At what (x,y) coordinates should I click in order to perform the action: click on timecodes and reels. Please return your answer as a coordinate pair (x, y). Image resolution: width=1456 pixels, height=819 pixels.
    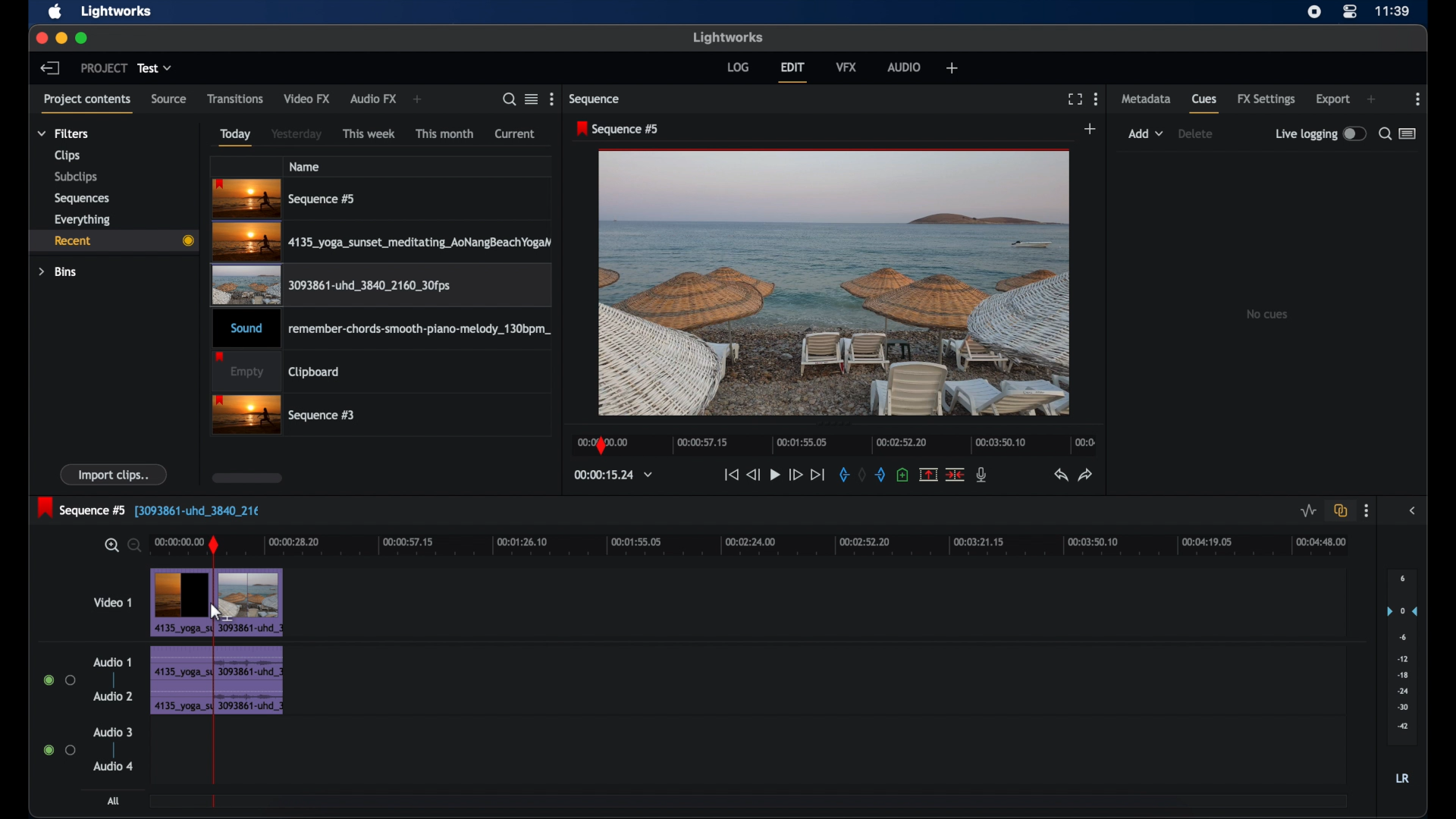
    Looking at the image, I should click on (617, 474).